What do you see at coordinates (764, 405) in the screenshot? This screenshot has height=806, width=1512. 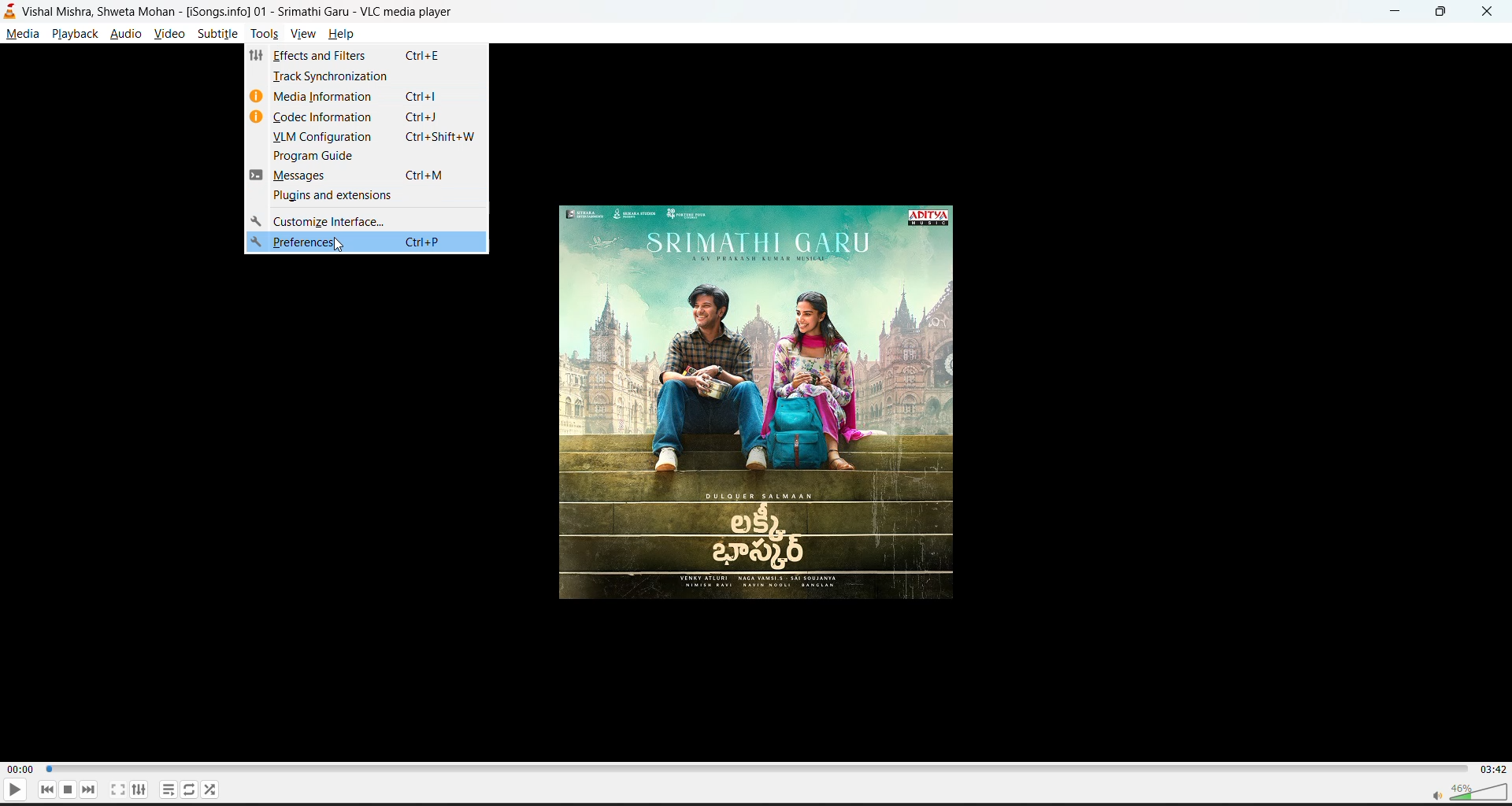 I see `thumbnail` at bounding box center [764, 405].